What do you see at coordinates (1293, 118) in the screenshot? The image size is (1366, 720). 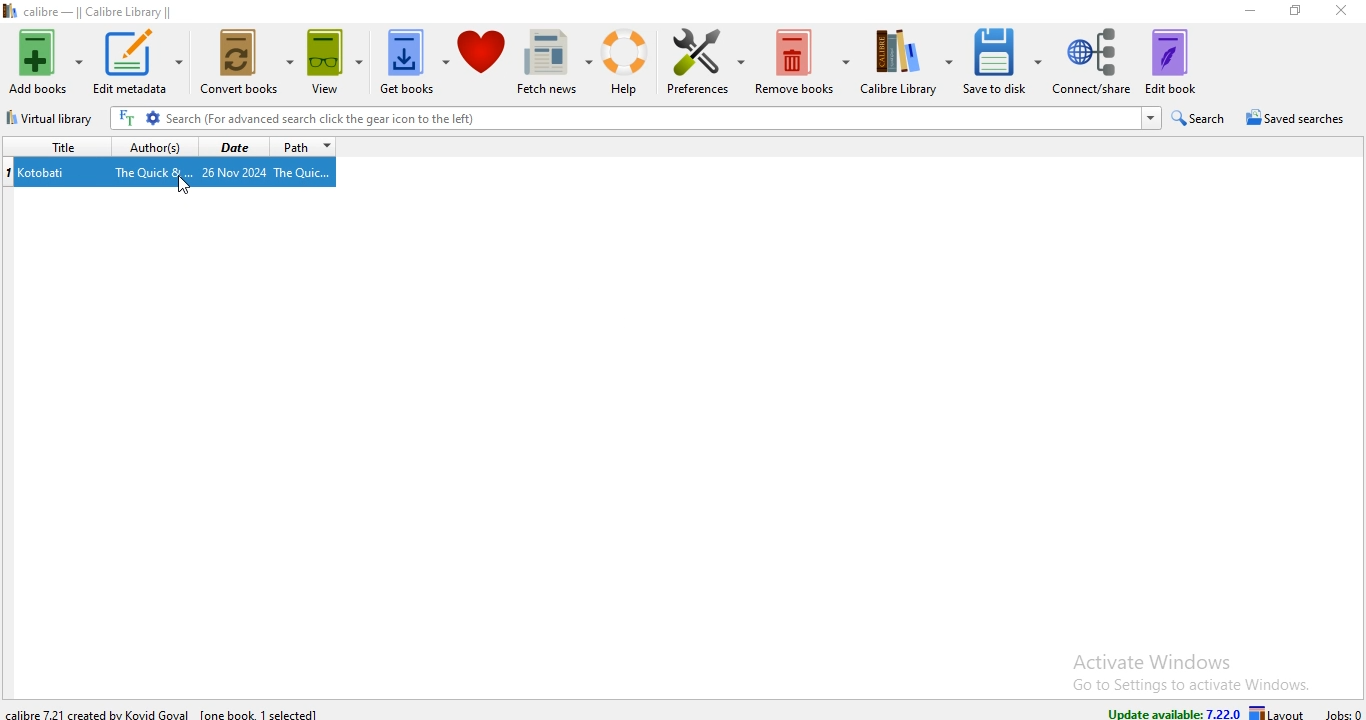 I see ` saved searches` at bounding box center [1293, 118].